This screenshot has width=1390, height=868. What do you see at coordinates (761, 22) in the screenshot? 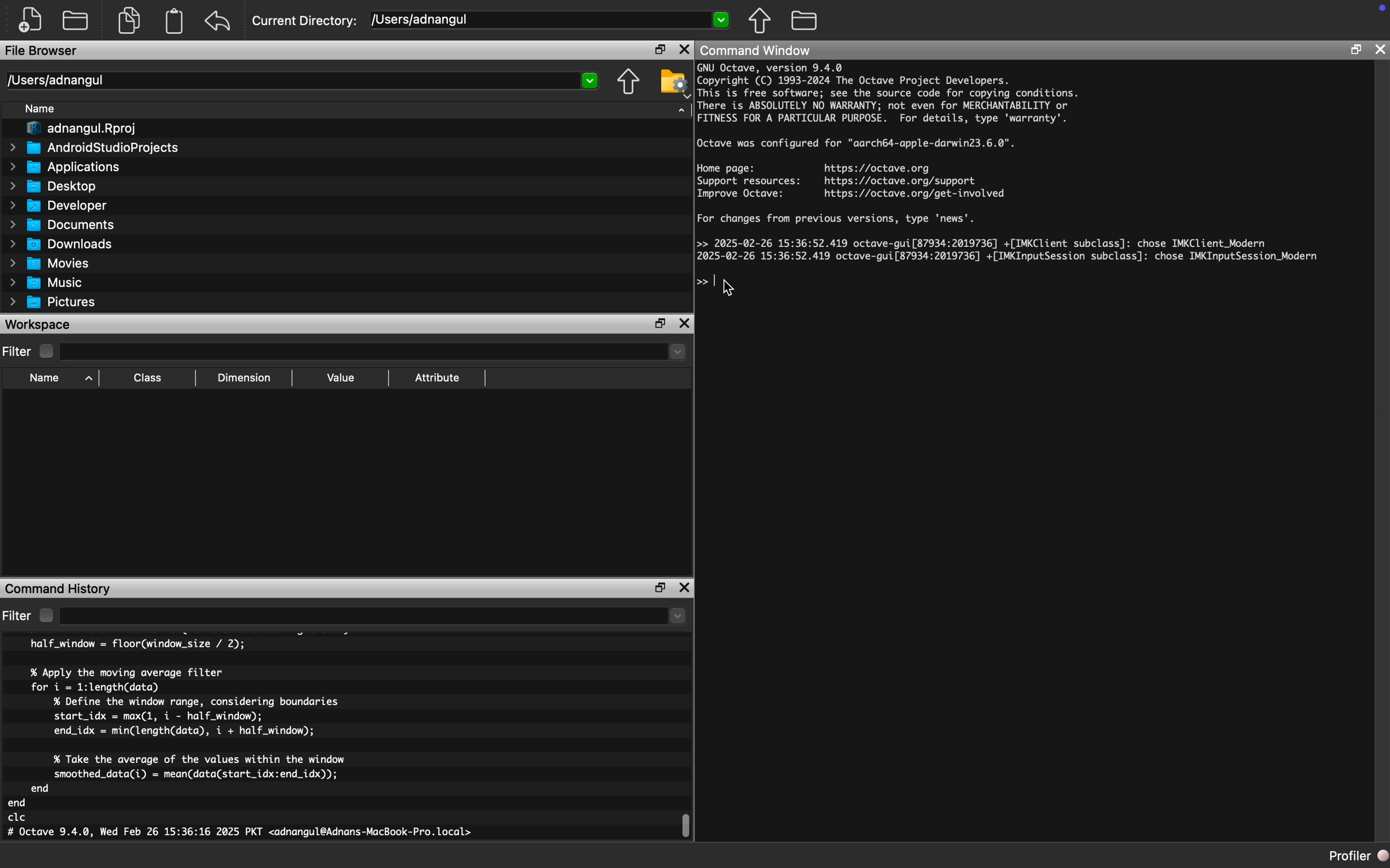
I see `Parent Directory` at bounding box center [761, 22].